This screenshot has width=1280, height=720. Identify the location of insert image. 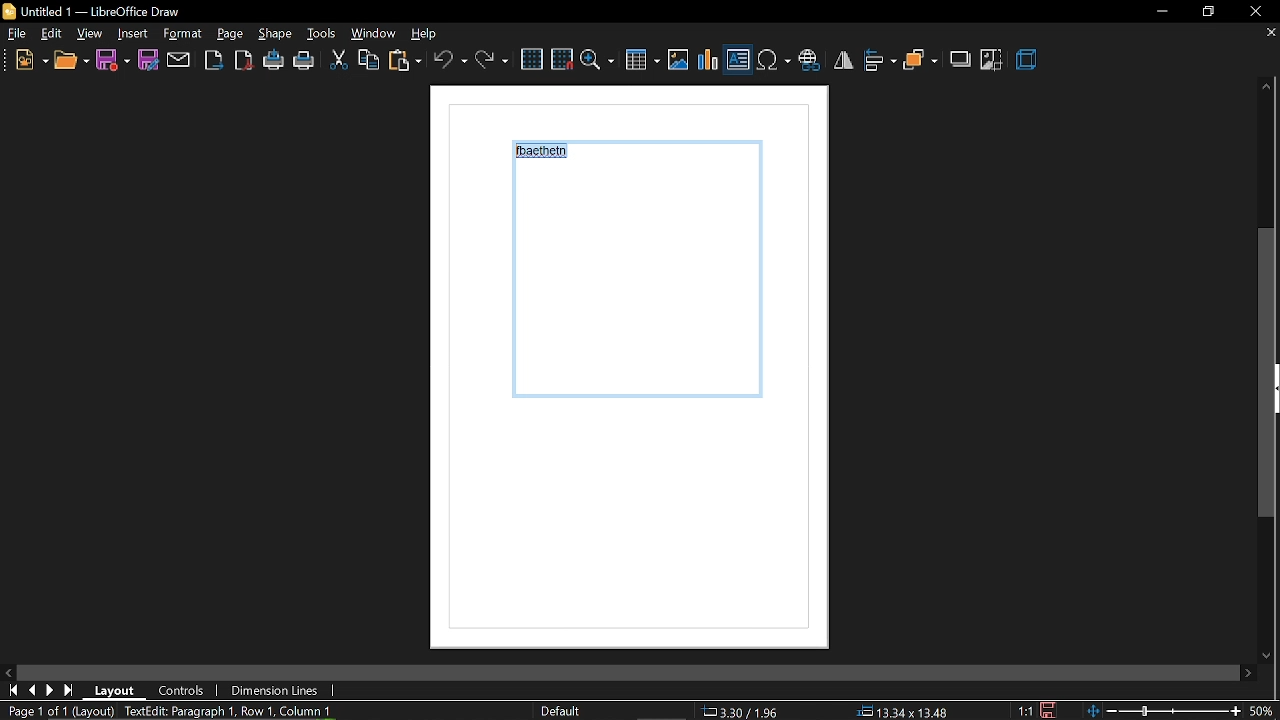
(679, 59).